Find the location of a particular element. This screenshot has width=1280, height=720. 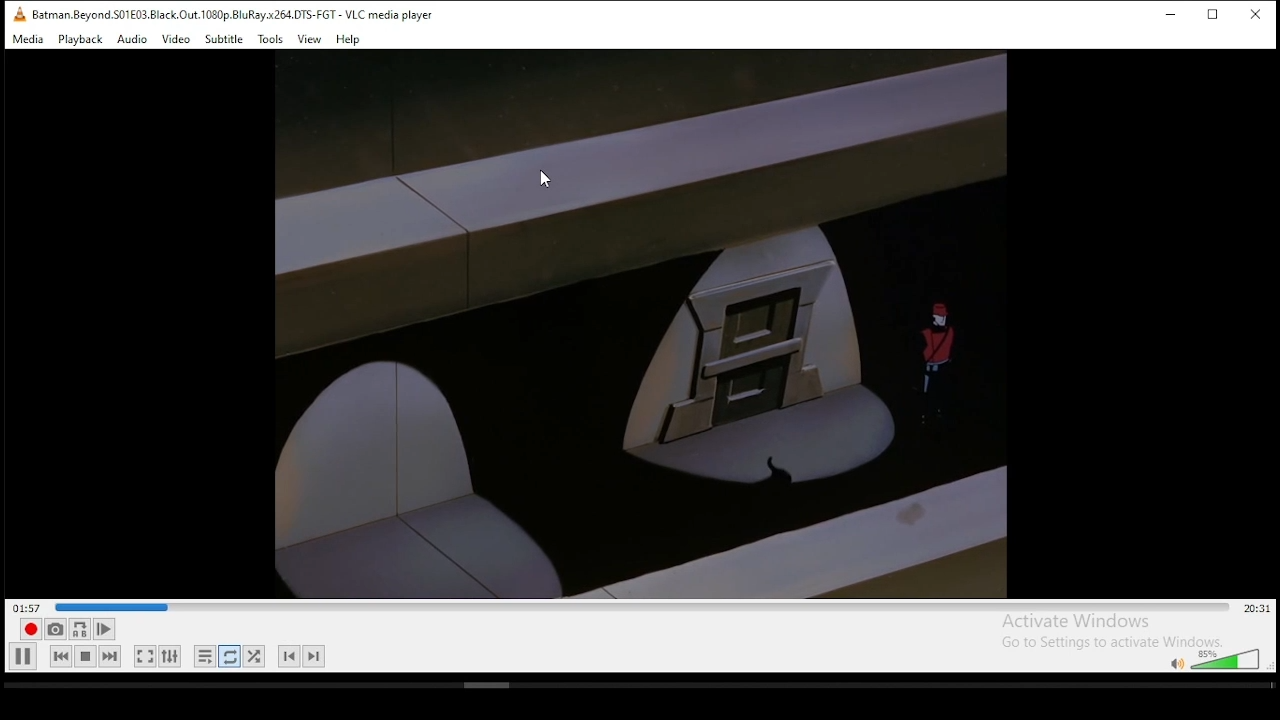

mouse pointer is located at coordinates (544, 179).